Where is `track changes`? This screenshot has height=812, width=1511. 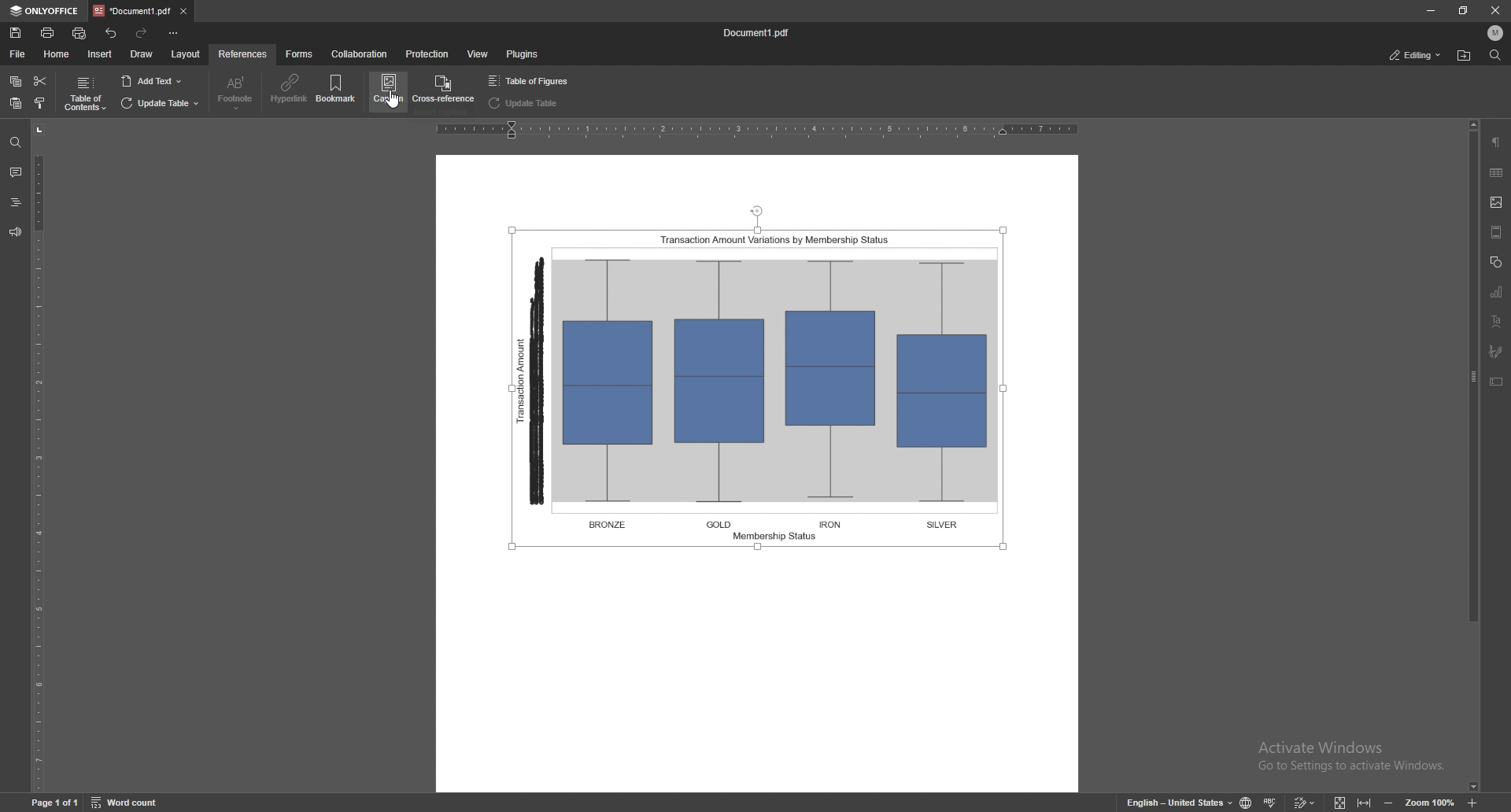
track changes is located at coordinates (1305, 802).